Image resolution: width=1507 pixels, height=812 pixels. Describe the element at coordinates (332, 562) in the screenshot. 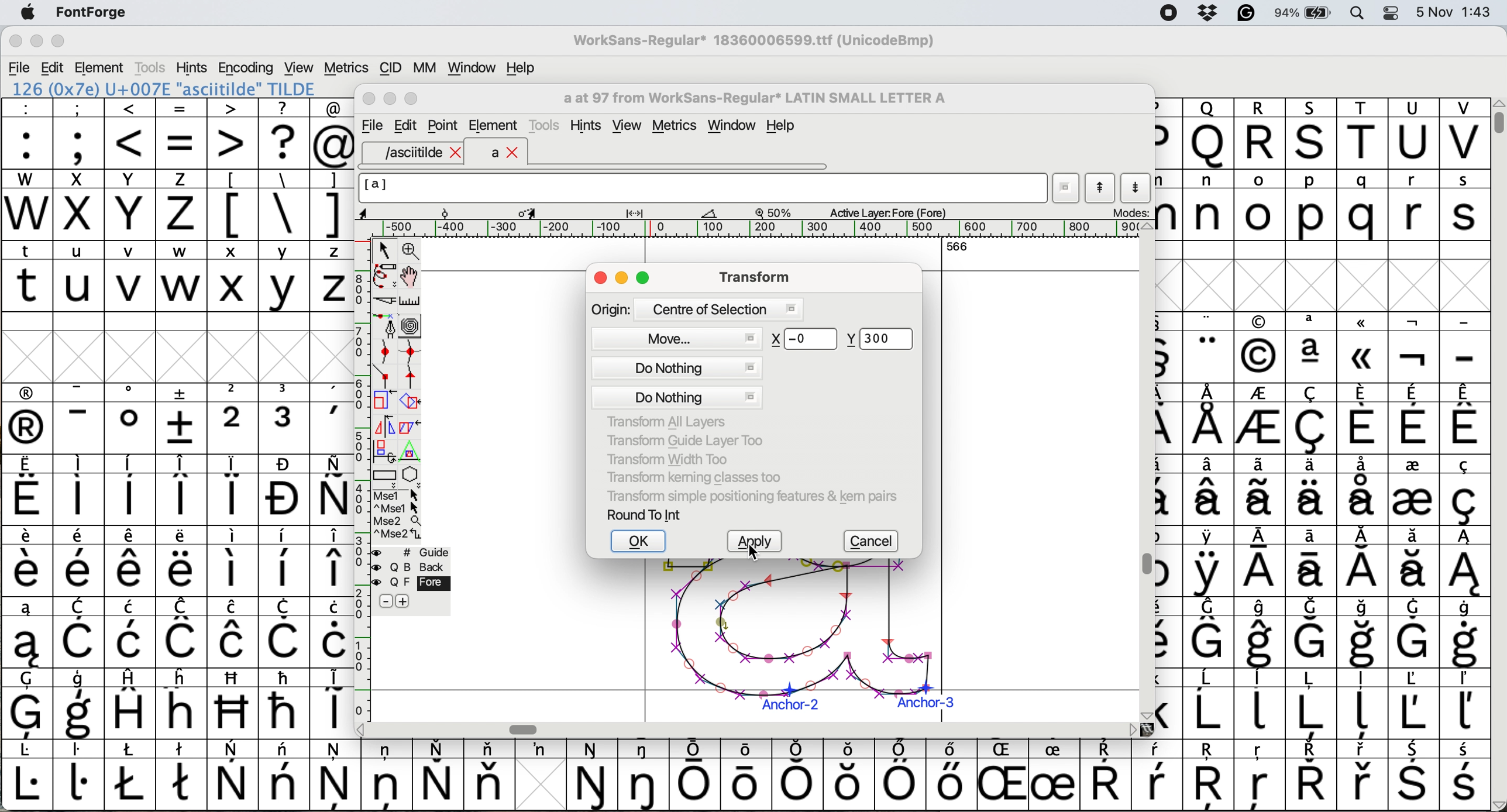

I see `symbol` at that location.